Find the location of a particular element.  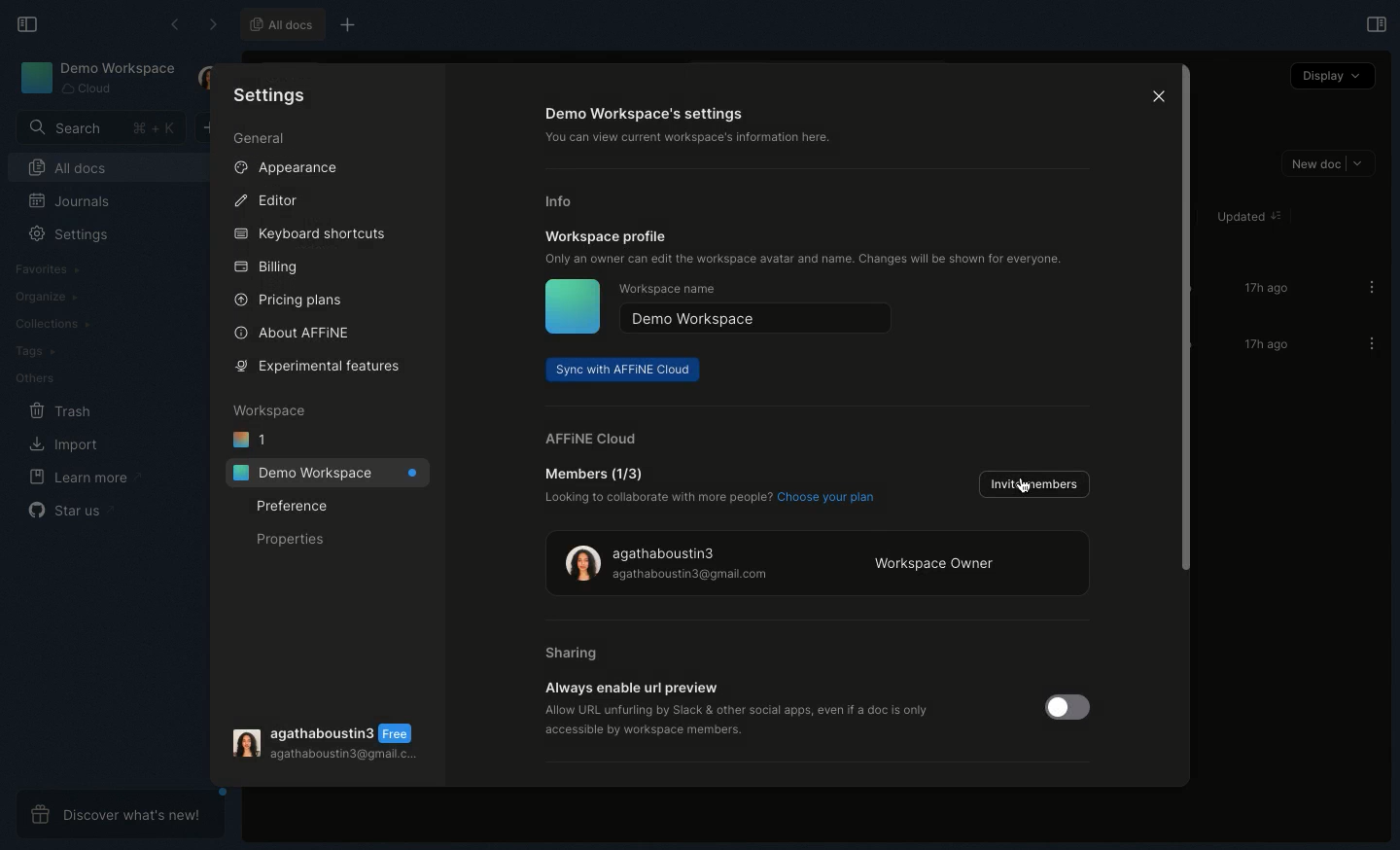

All docs is located at coordinates (115, 167).